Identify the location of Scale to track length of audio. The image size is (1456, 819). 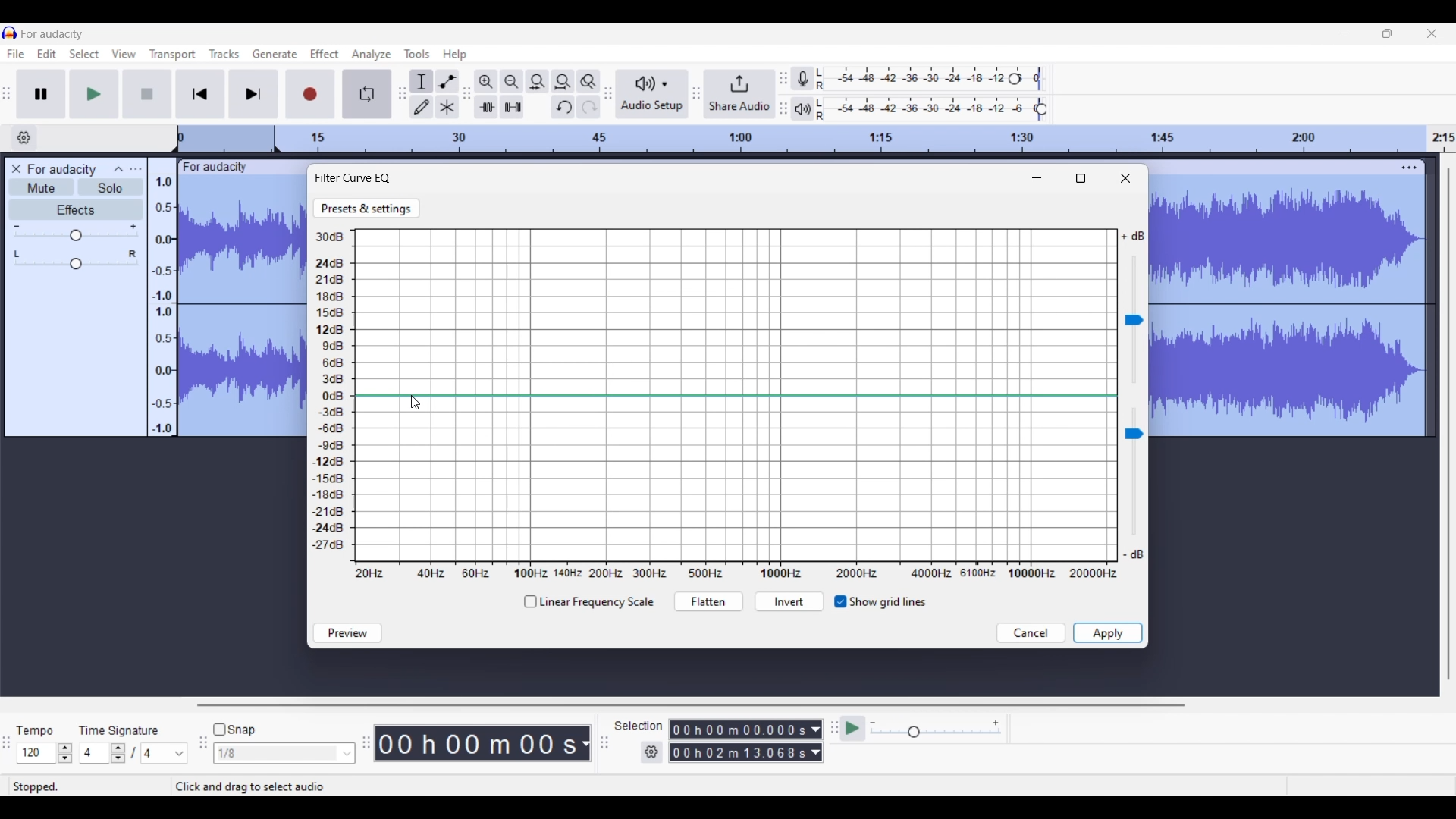
(870, 139).